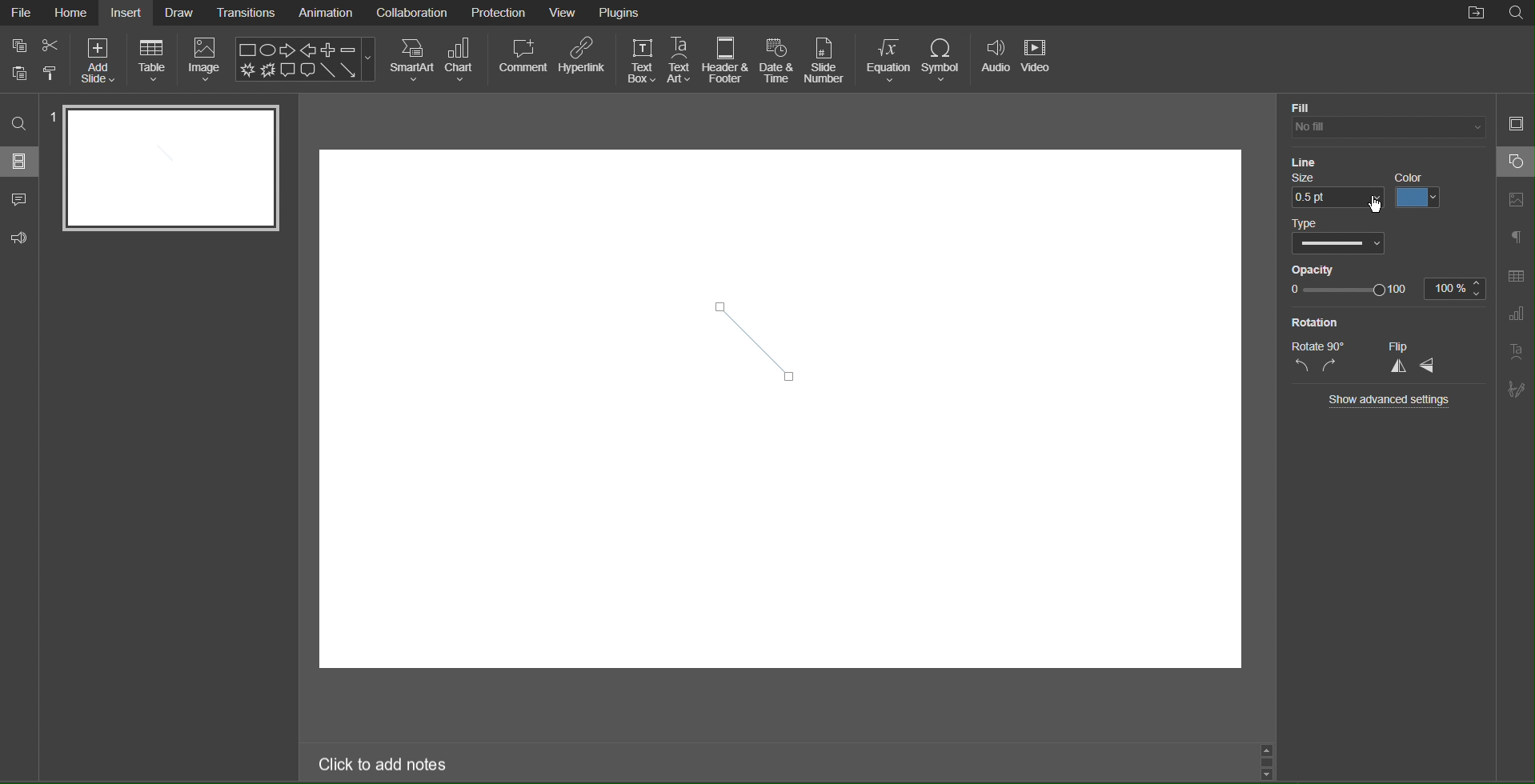  What do you see at coordinates (18, 74) in the screenshot?
I see `Copy` at bounding box center [18, 74].